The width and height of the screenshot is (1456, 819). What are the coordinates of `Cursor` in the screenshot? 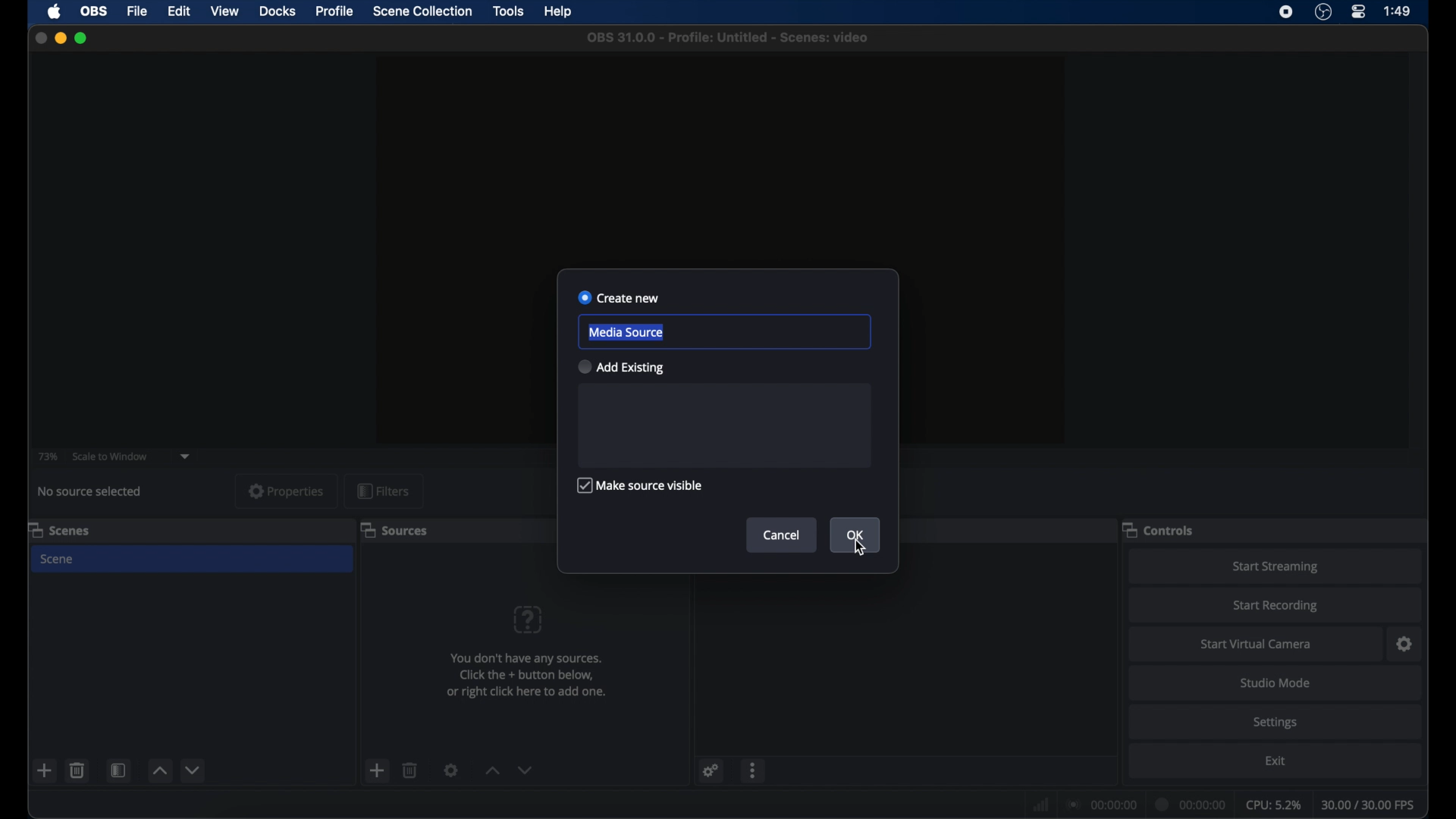 It's located at (858, 547).